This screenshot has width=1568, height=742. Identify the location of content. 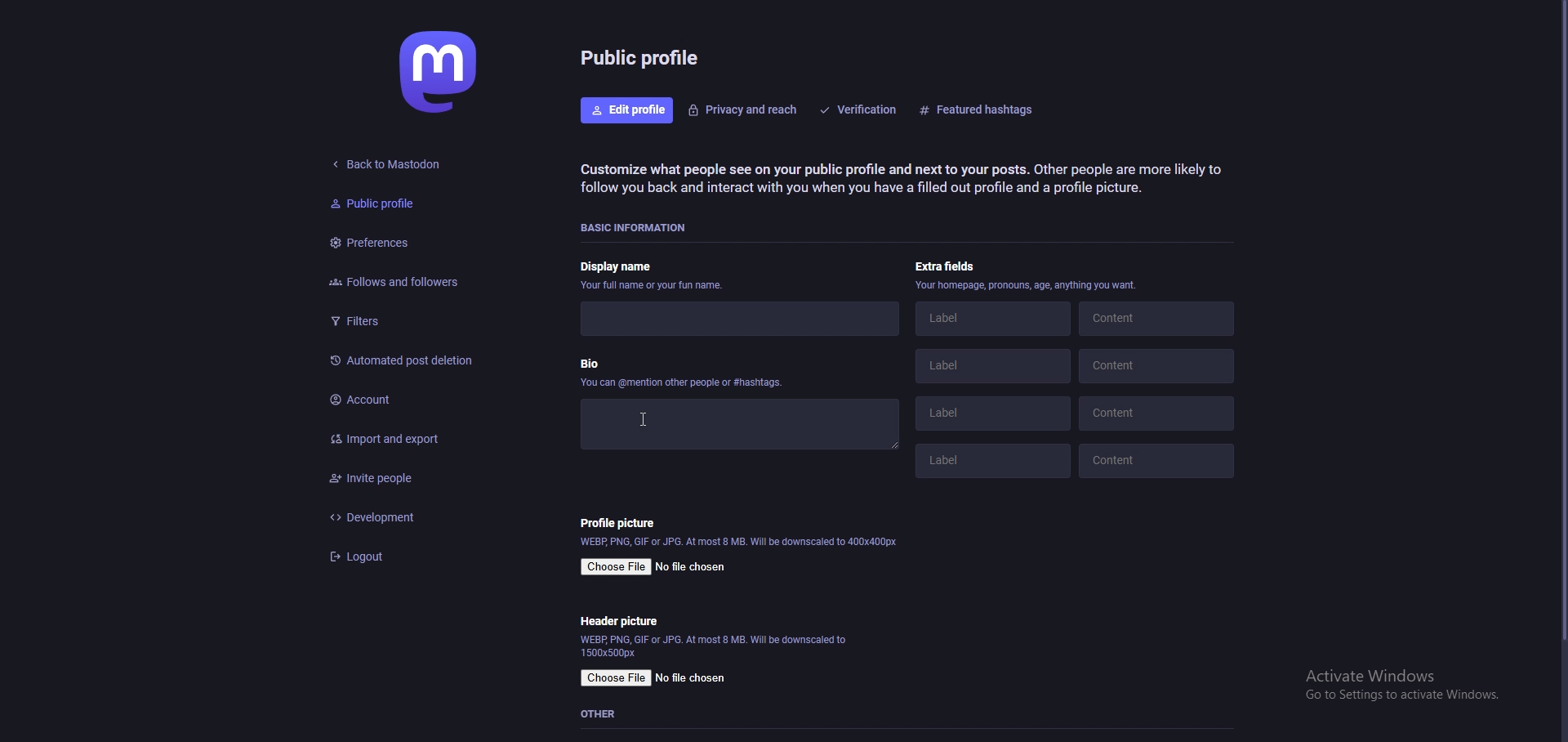
(1158, 413).